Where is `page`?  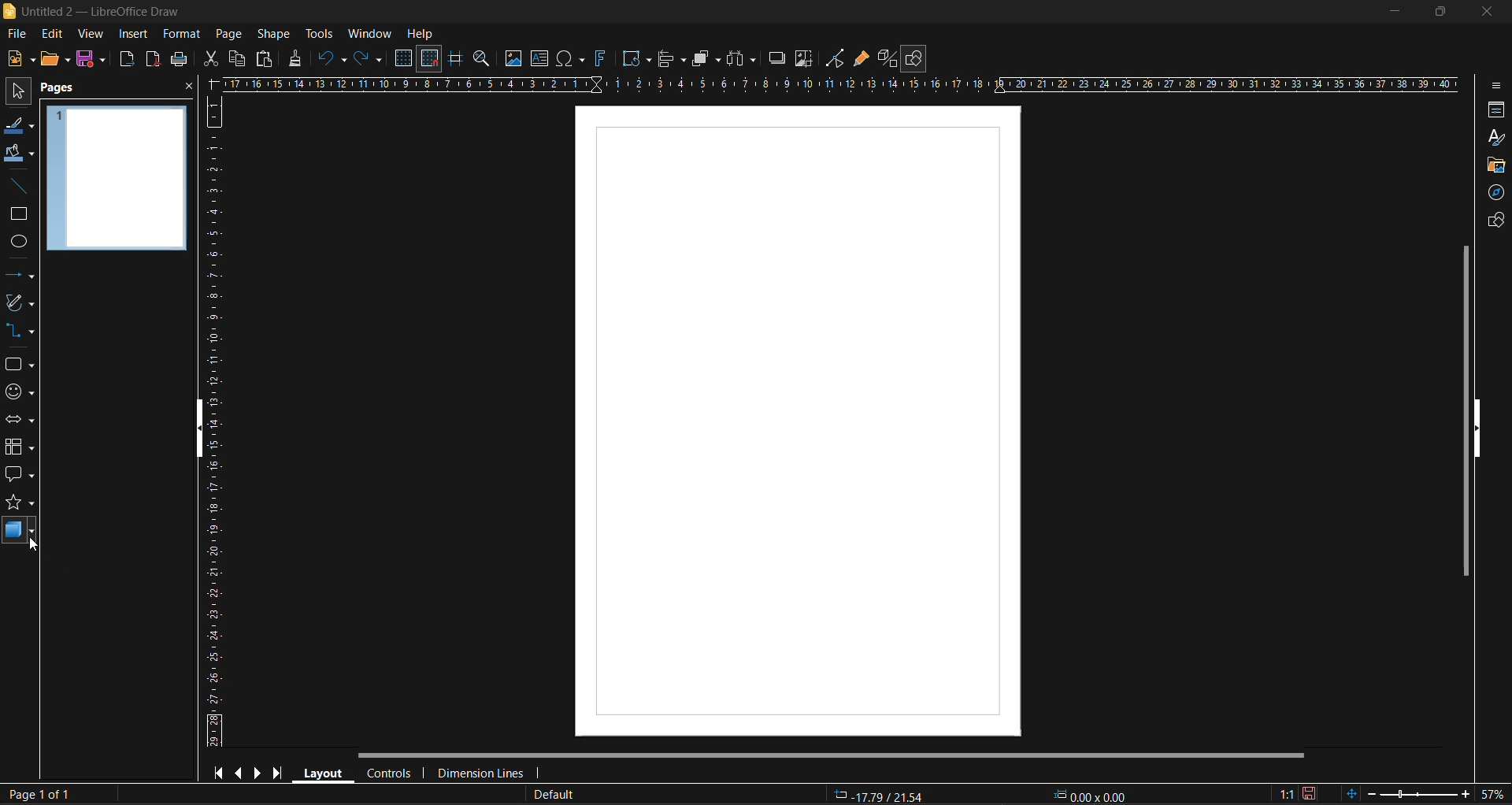 page is located at coordinates (228, 33).